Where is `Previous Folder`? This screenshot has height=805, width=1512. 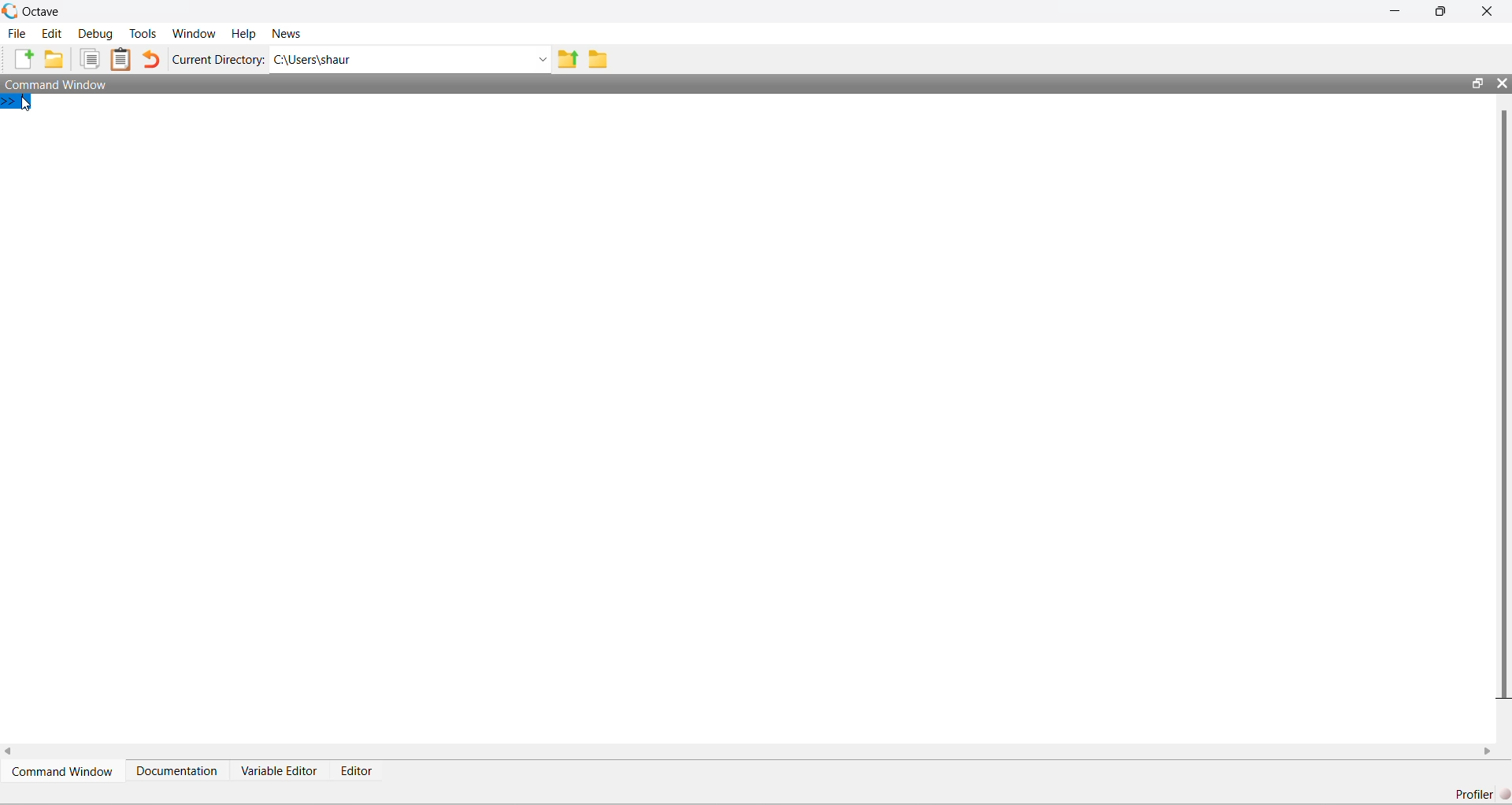
Previous Folder is located at coordinates (568, 59).